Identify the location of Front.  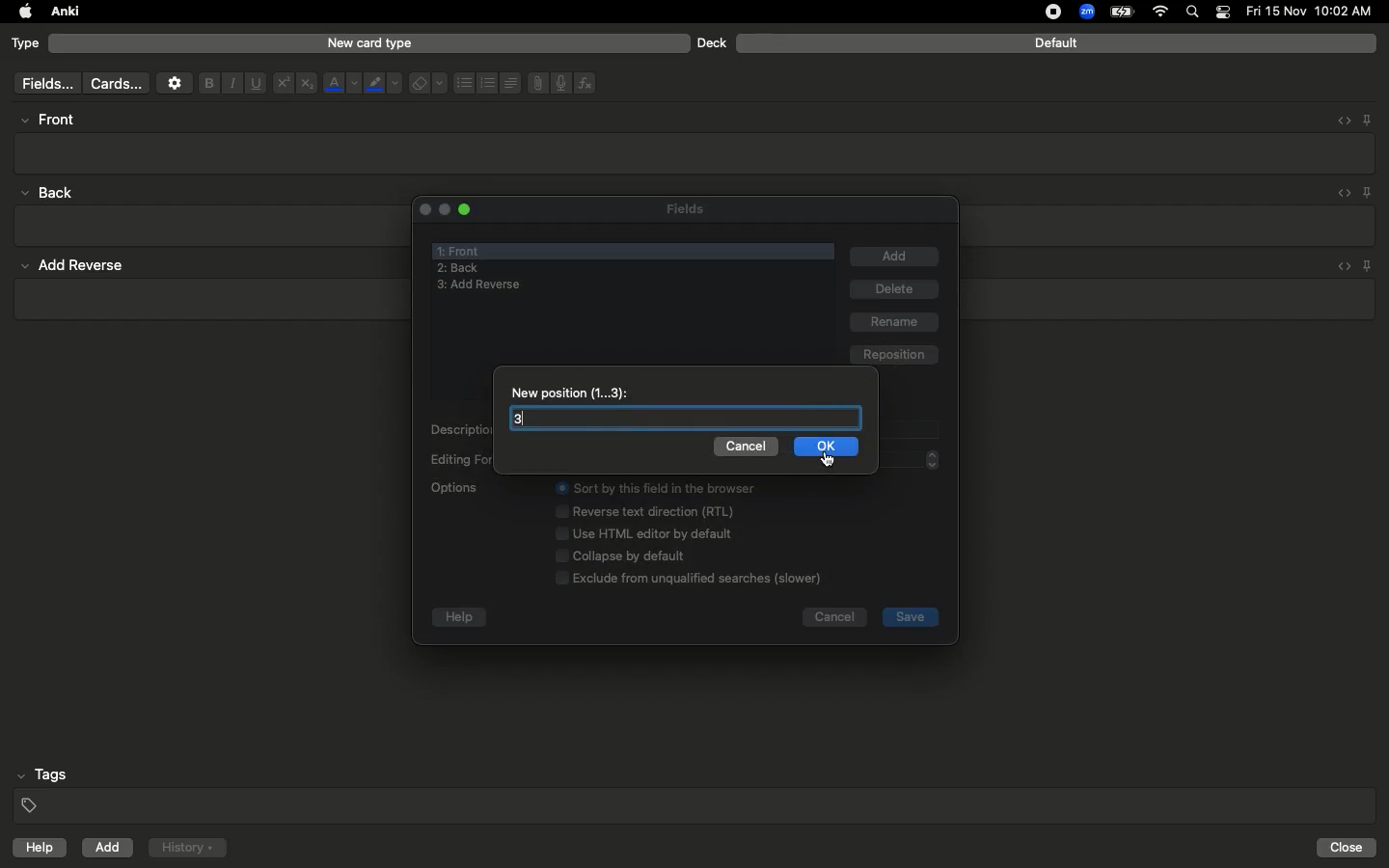
(461, 249).